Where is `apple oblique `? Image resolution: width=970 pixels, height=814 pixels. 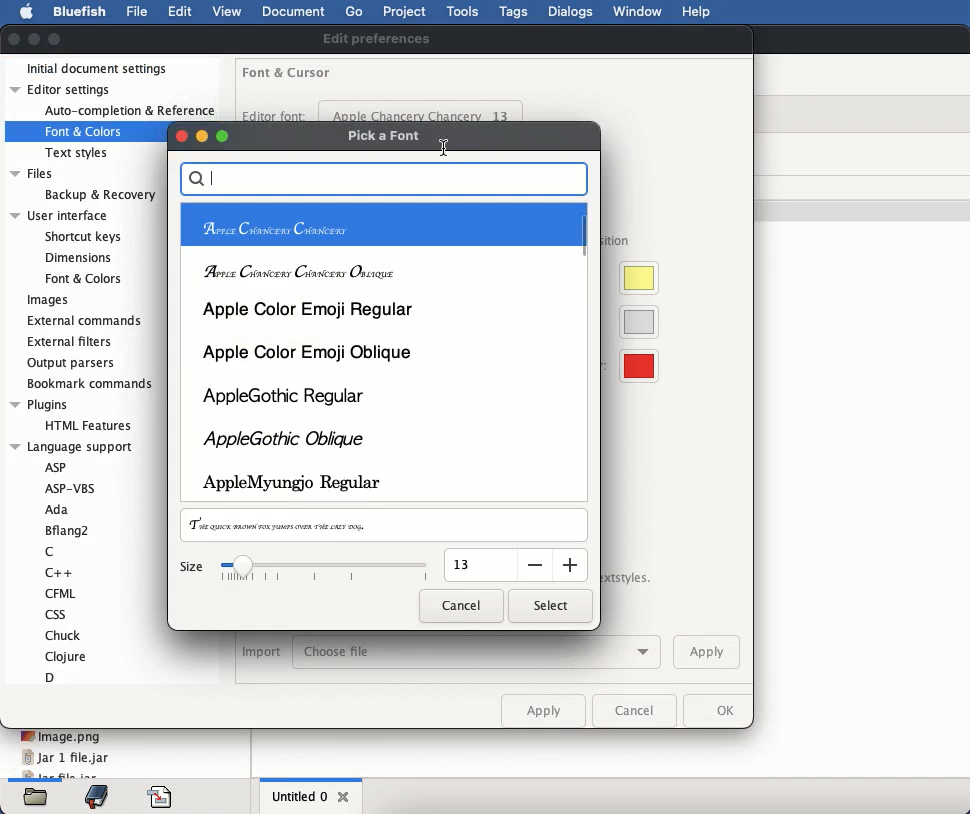
apple oblique  is located at coordinates (298, 271).